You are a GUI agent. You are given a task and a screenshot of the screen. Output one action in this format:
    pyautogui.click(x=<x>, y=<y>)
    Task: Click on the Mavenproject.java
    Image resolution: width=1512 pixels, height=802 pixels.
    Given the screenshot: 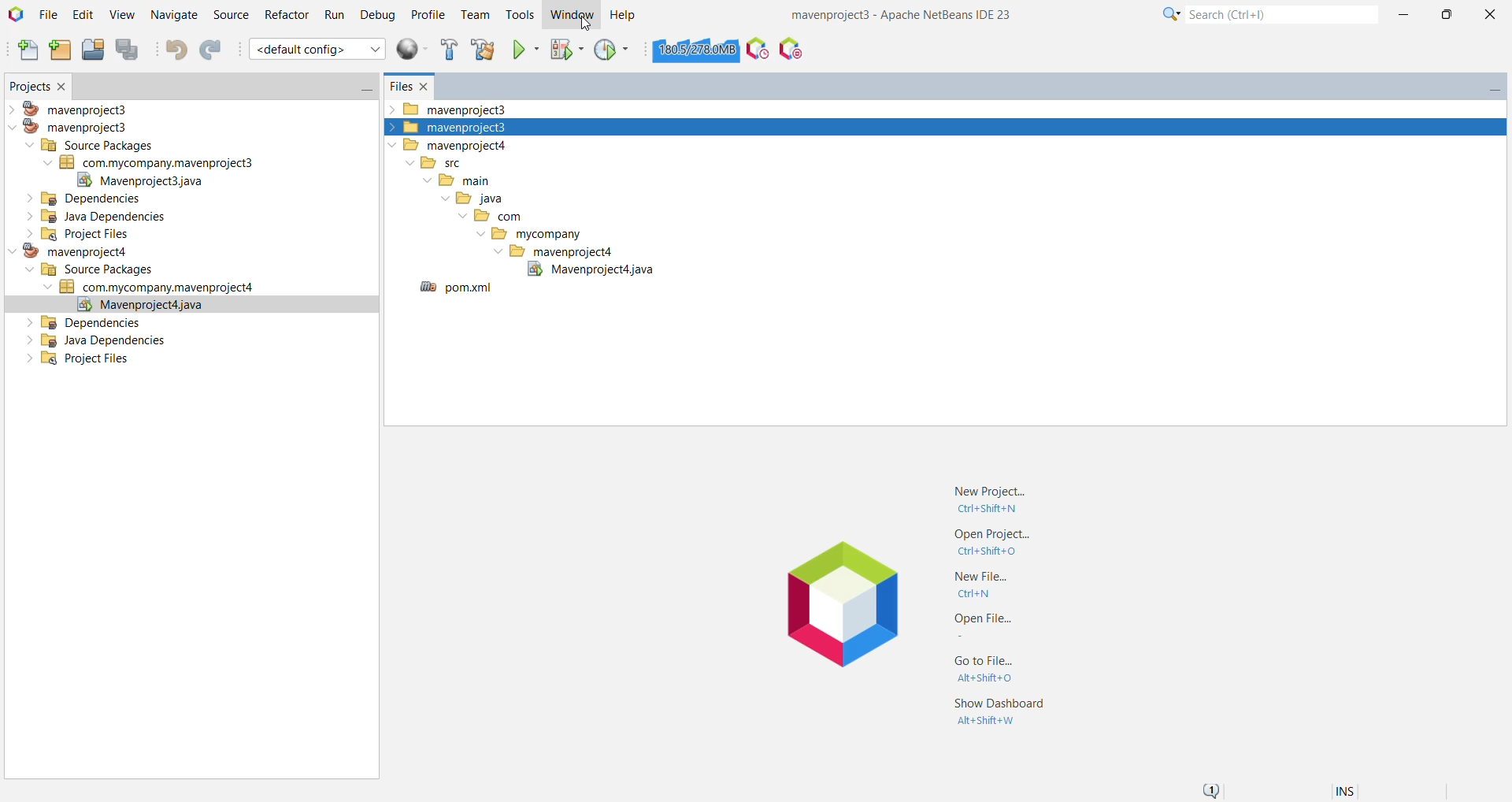 What is the action you would take?
    pyautogui.click(x=141, y=180)
    